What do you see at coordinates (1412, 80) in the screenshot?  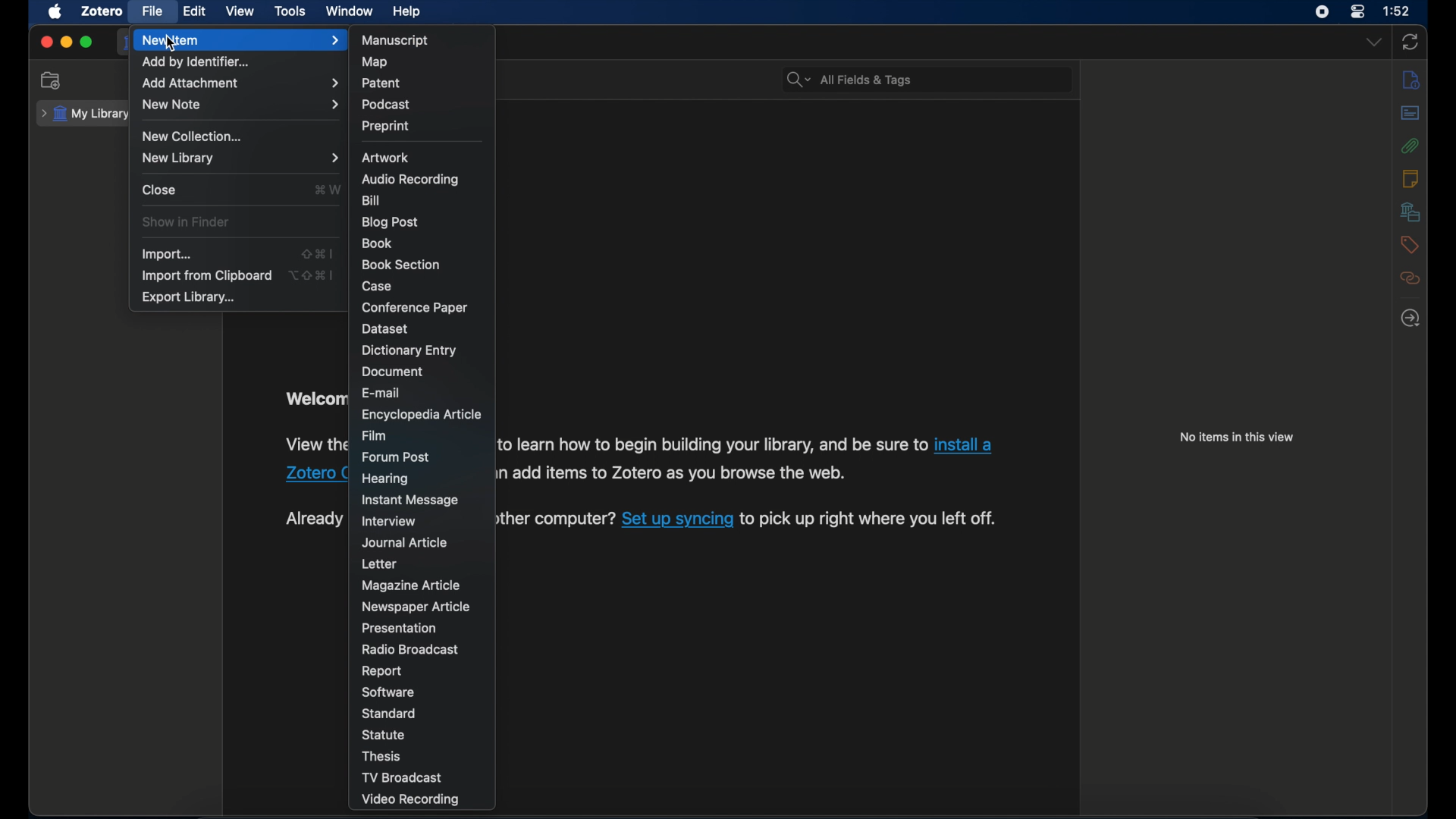 I see `info` at bounding box center [1412, 80].